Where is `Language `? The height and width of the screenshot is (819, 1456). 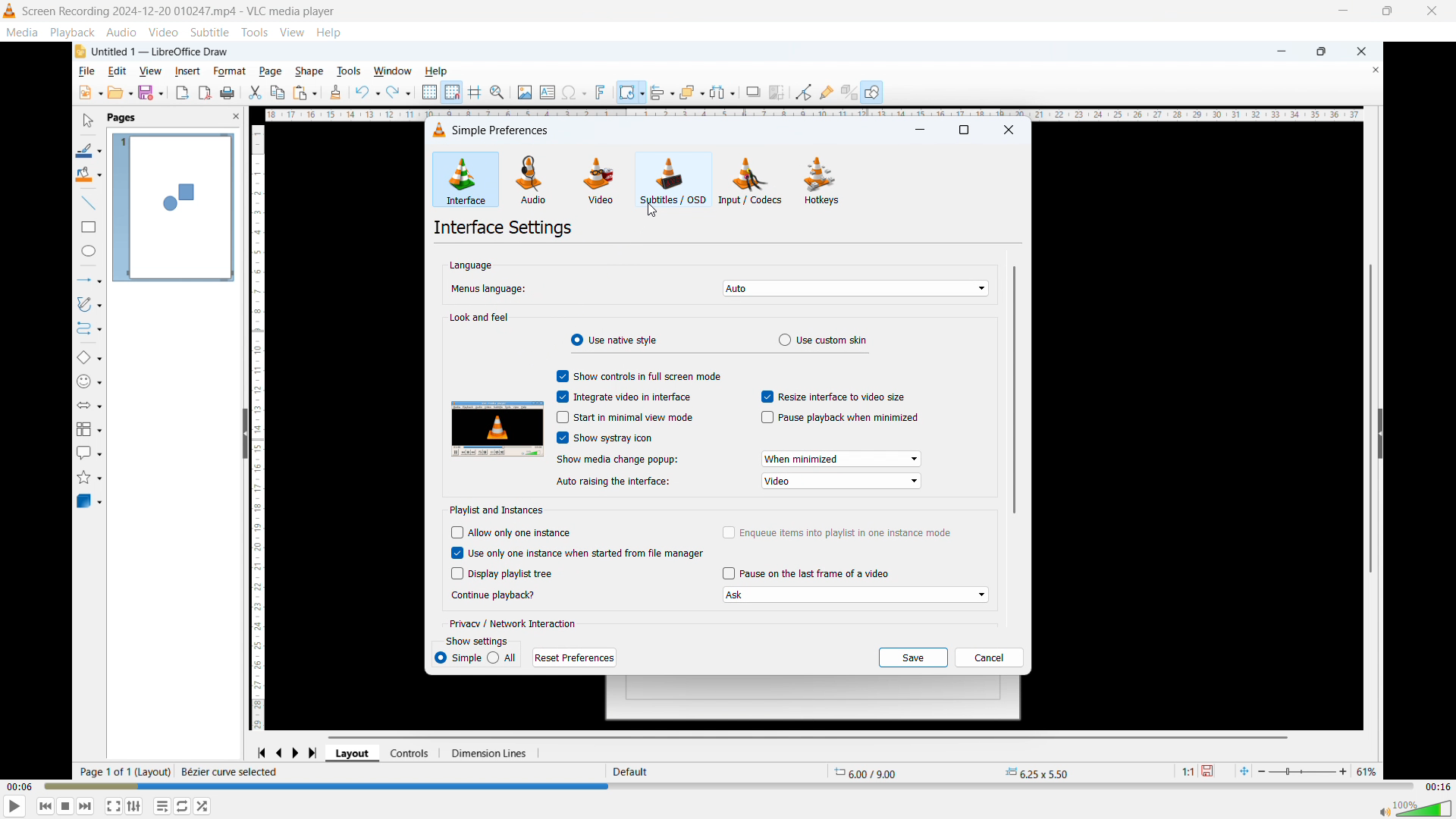
Language  is located at coordinates (472, 265).